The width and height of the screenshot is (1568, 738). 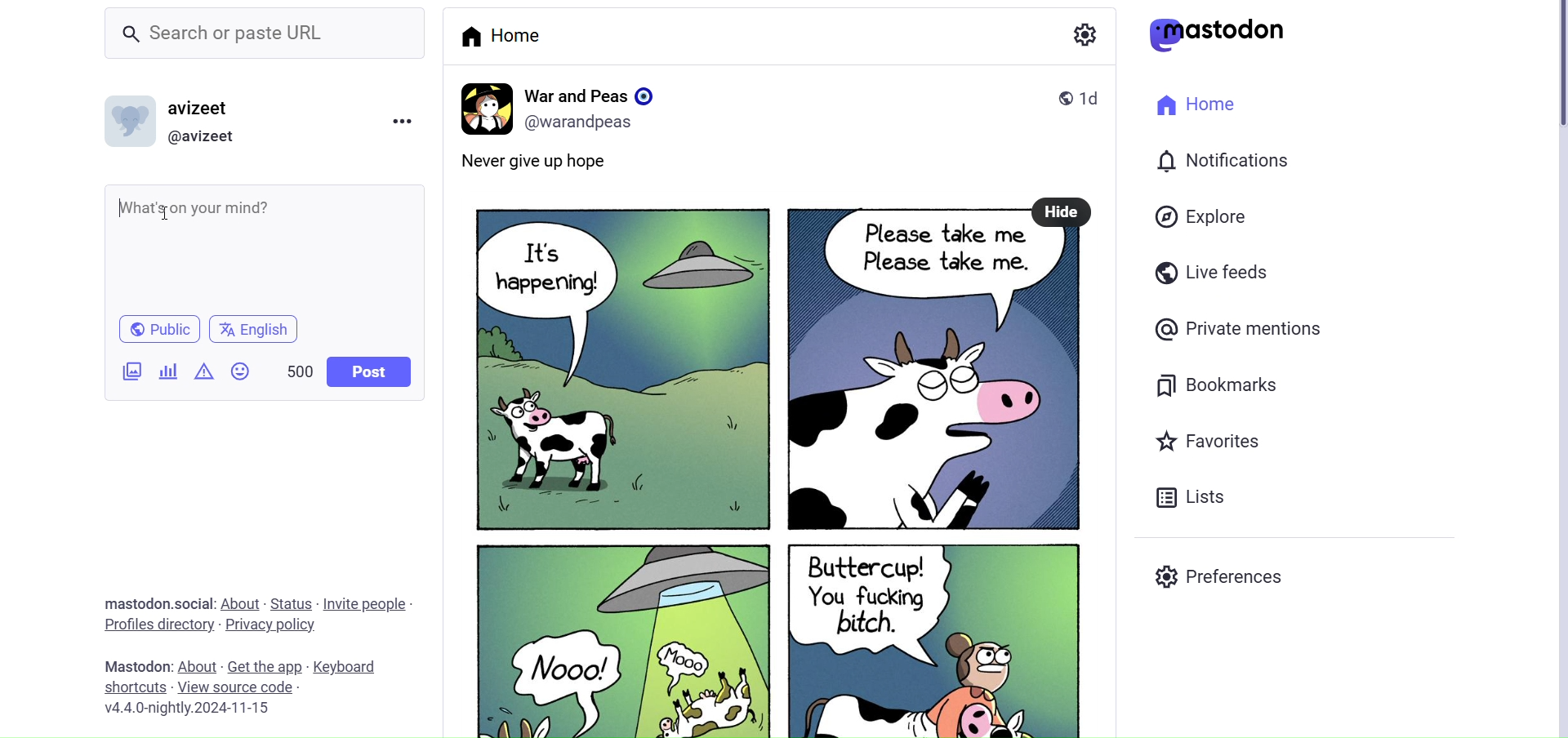 What do you see at coordinates (1057, 97) in the screenshot?
I see `public post` at bounding box center [1057, 97].